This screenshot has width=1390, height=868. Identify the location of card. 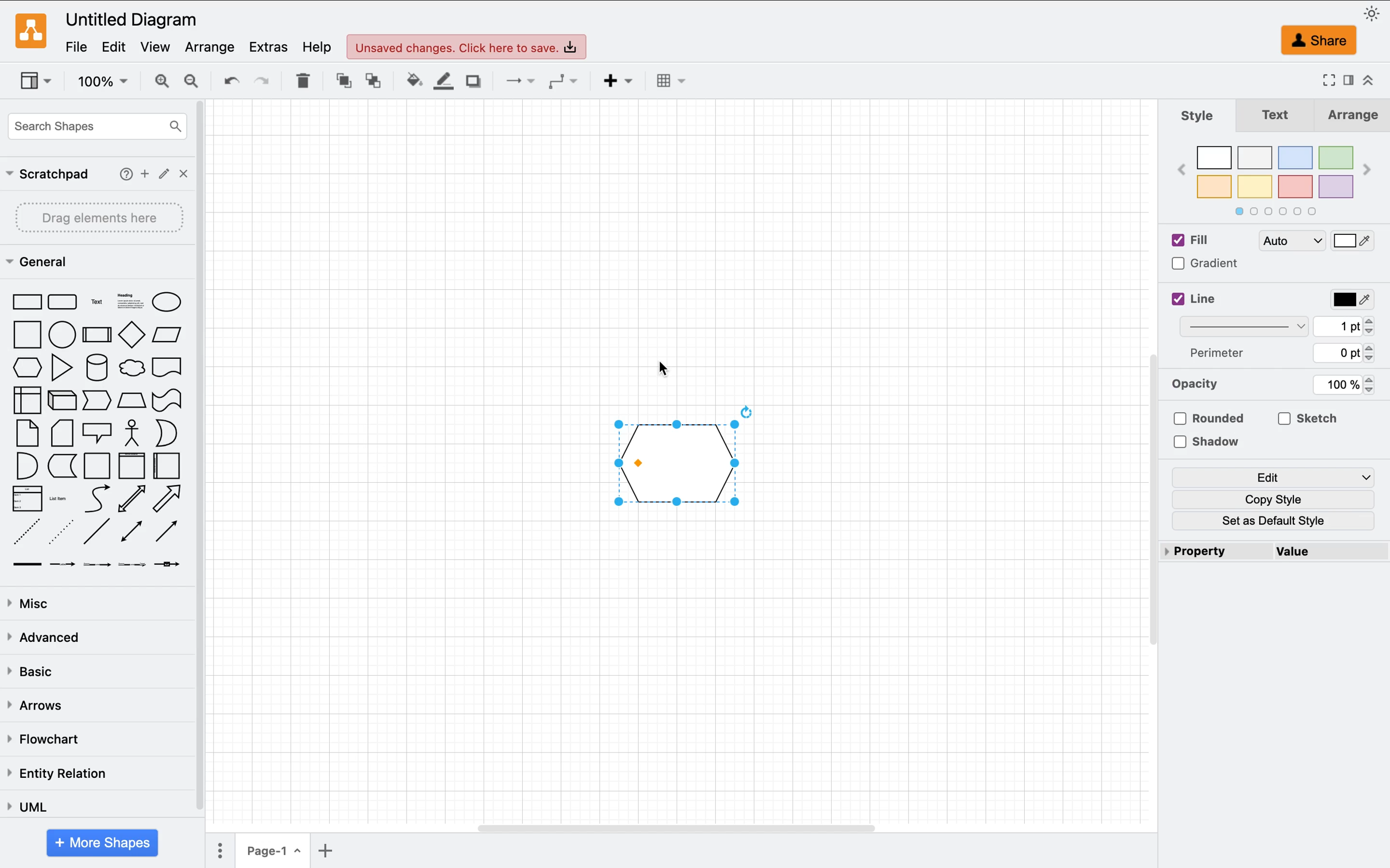
(61, 433).